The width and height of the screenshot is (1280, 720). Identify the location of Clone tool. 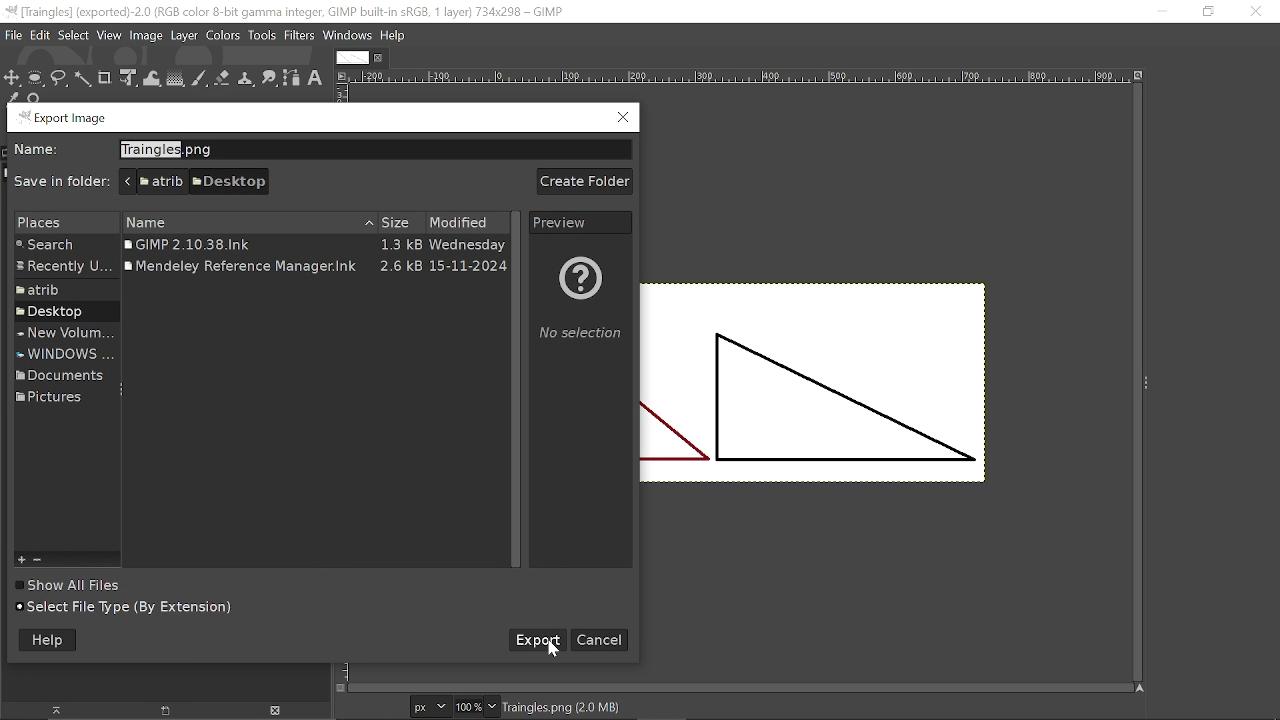
(246, 79).